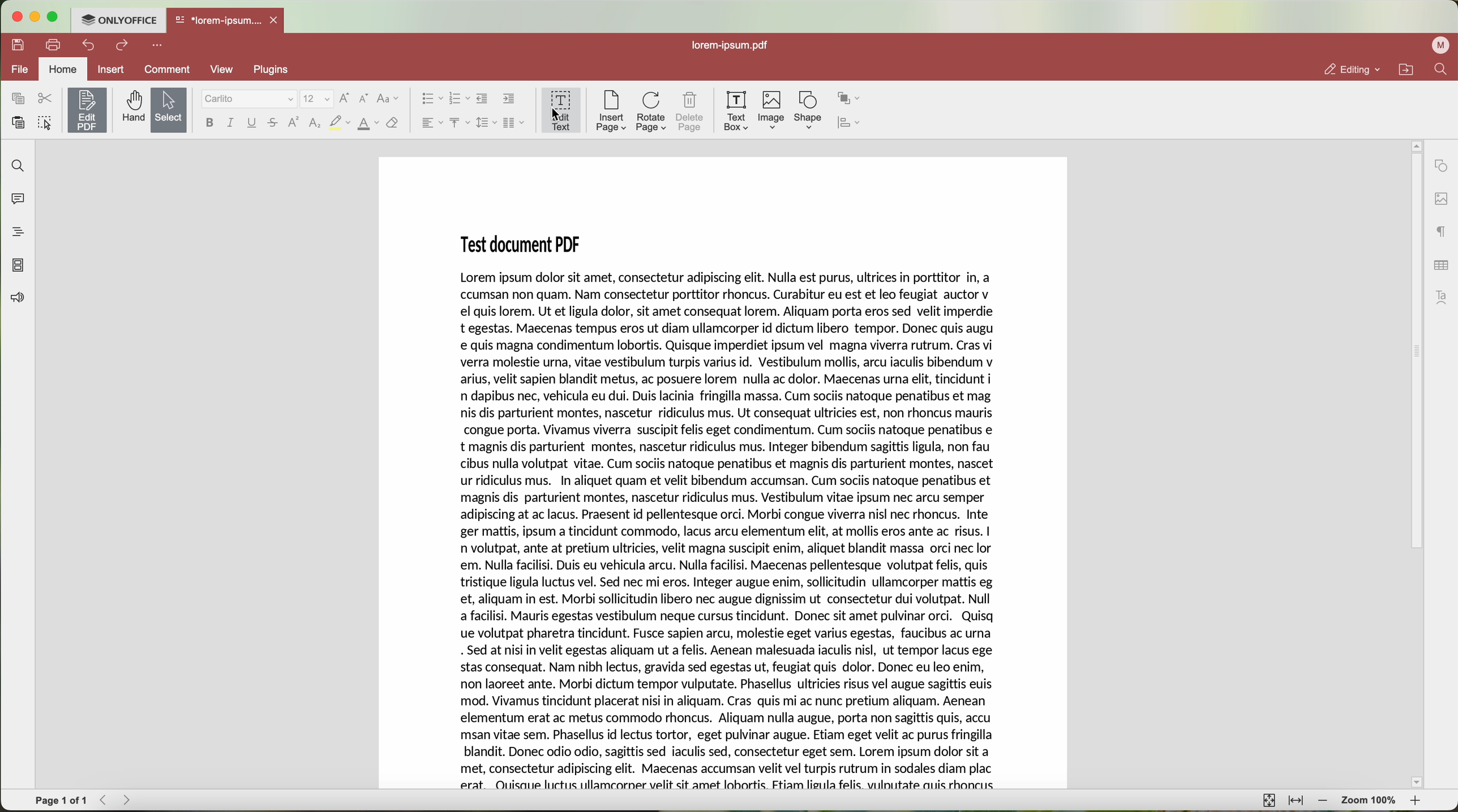 This screenshot has height=812, width=1458. I want to click on vertical align, so click(458, 121).